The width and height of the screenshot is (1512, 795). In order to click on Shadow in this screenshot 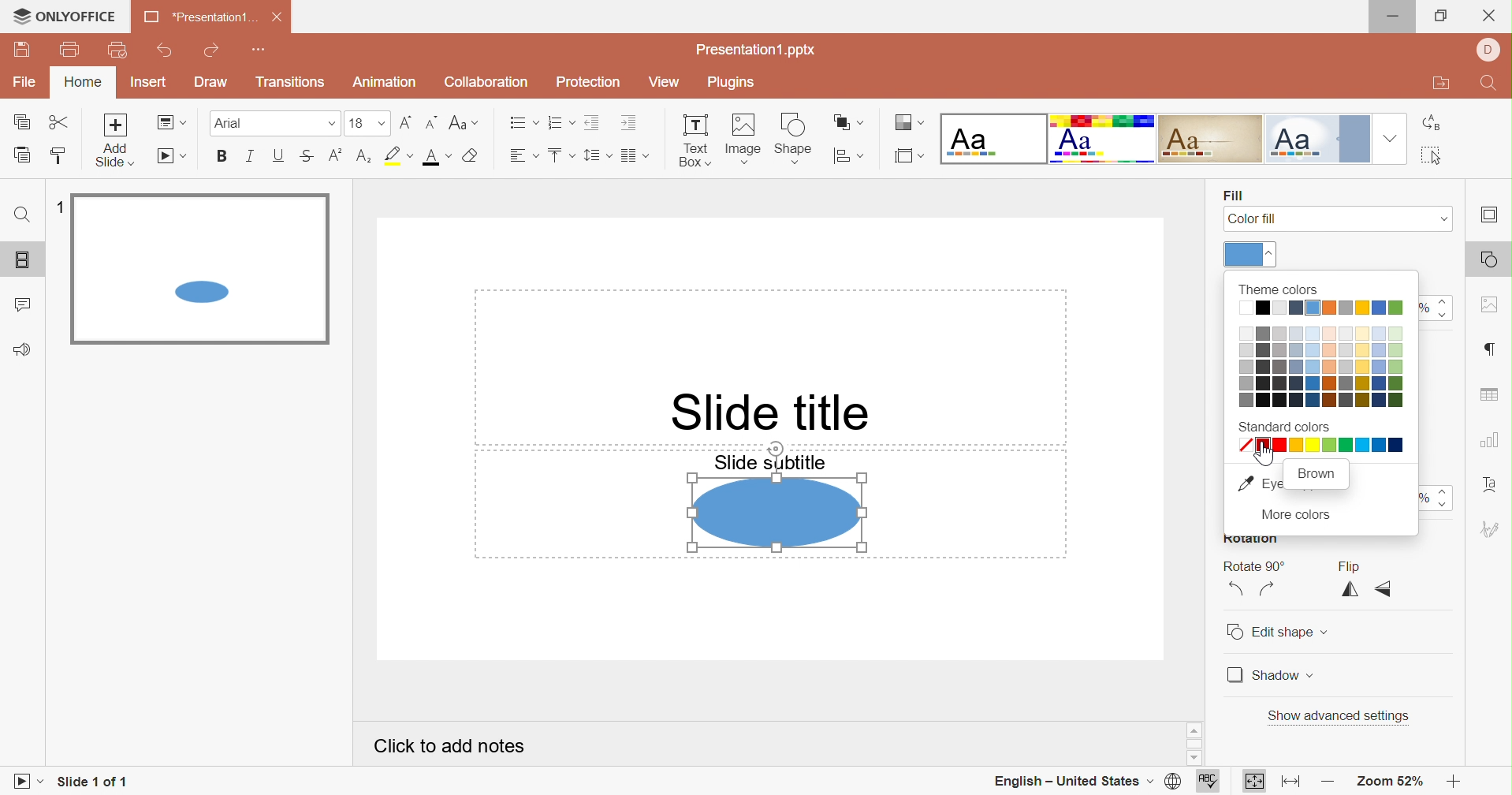, I will do `click(1271, 675)`.